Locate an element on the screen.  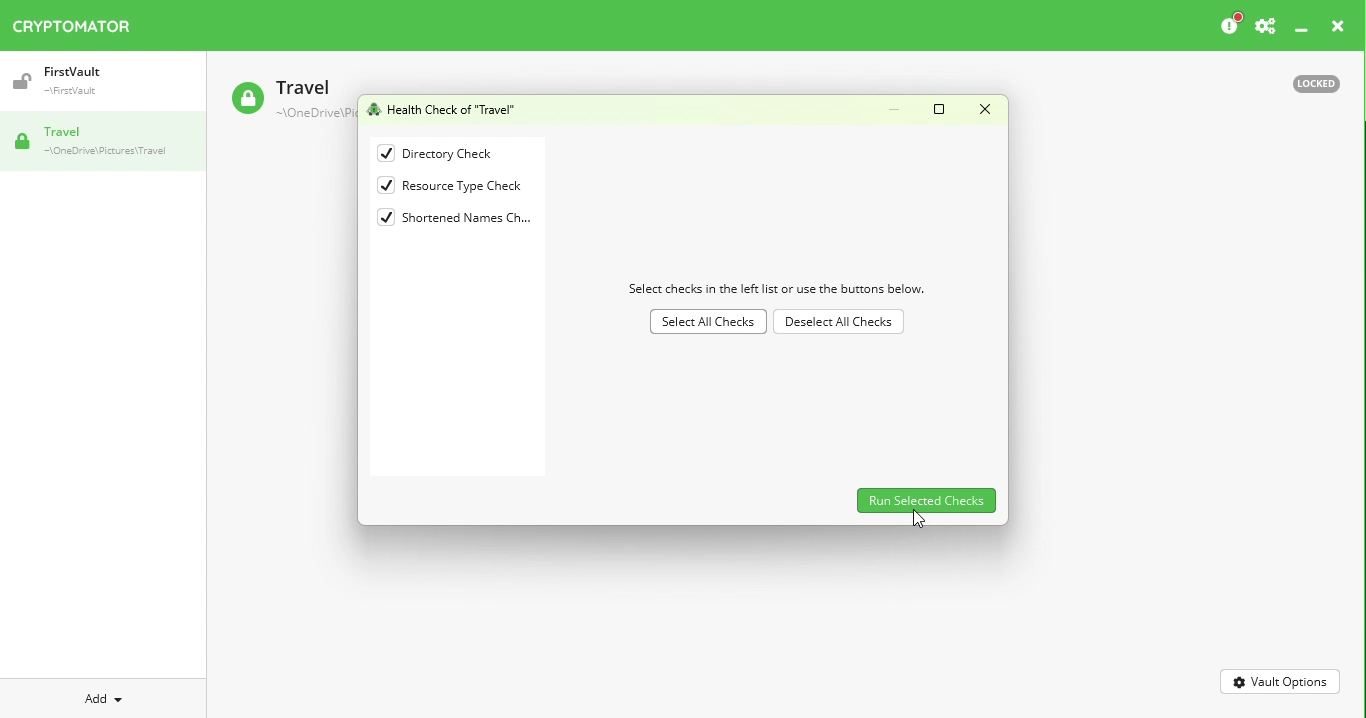
Vault is located at coordinates (68, 79).